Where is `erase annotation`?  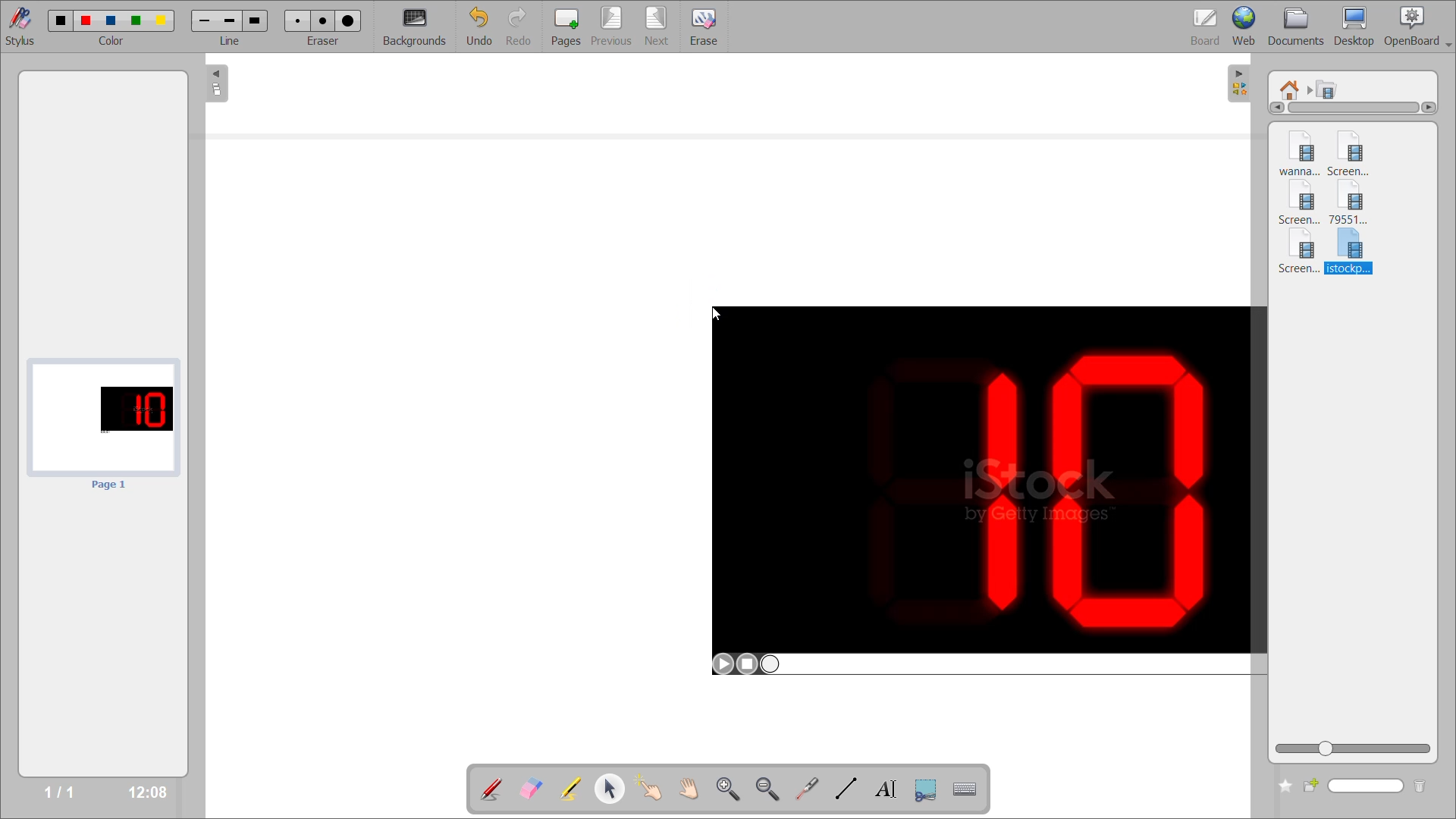 erase annotation is located at coordinates (532, 787).